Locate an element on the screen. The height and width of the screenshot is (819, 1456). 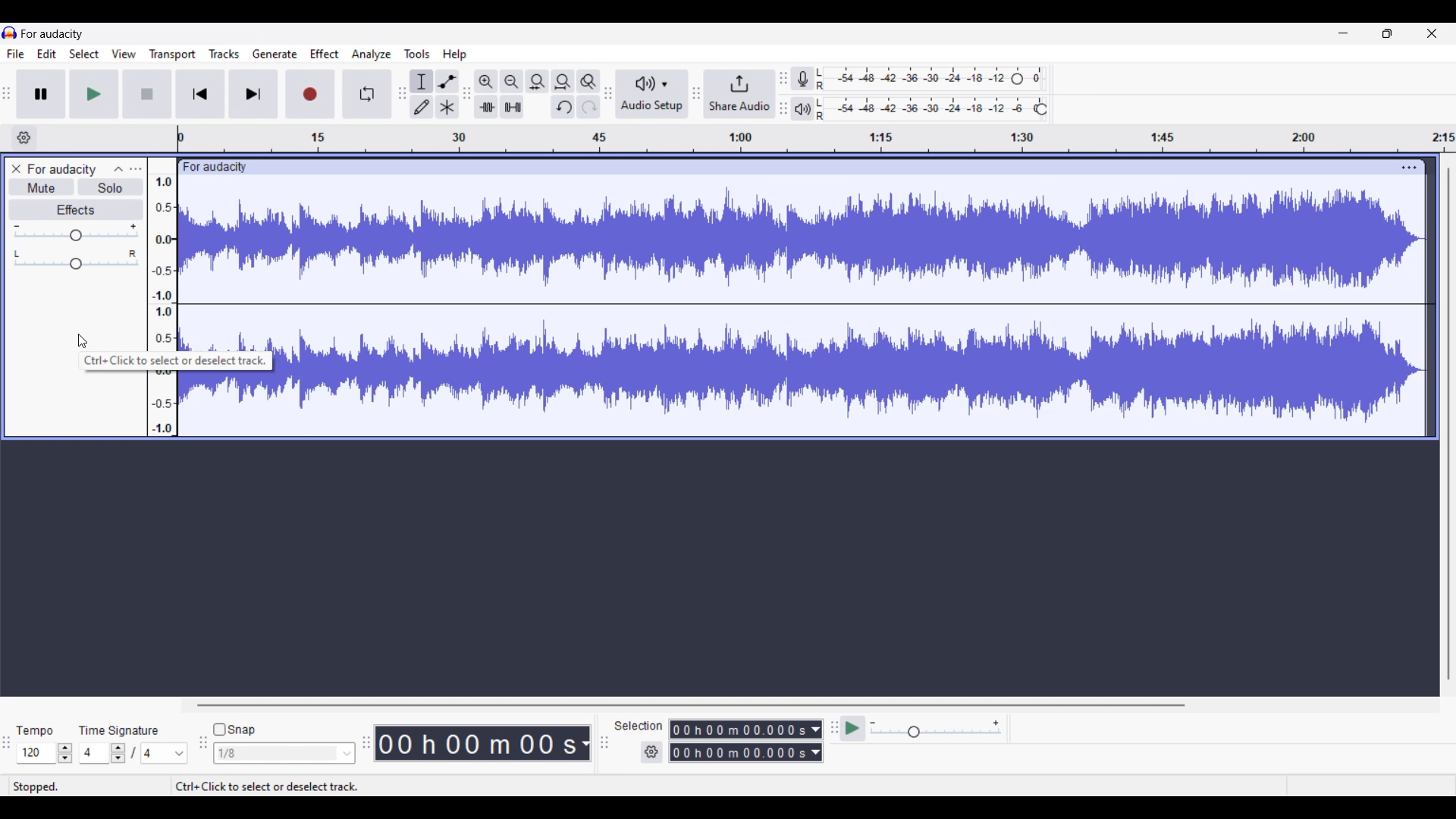
Record/Record new track is located at coordinates (311, 94).